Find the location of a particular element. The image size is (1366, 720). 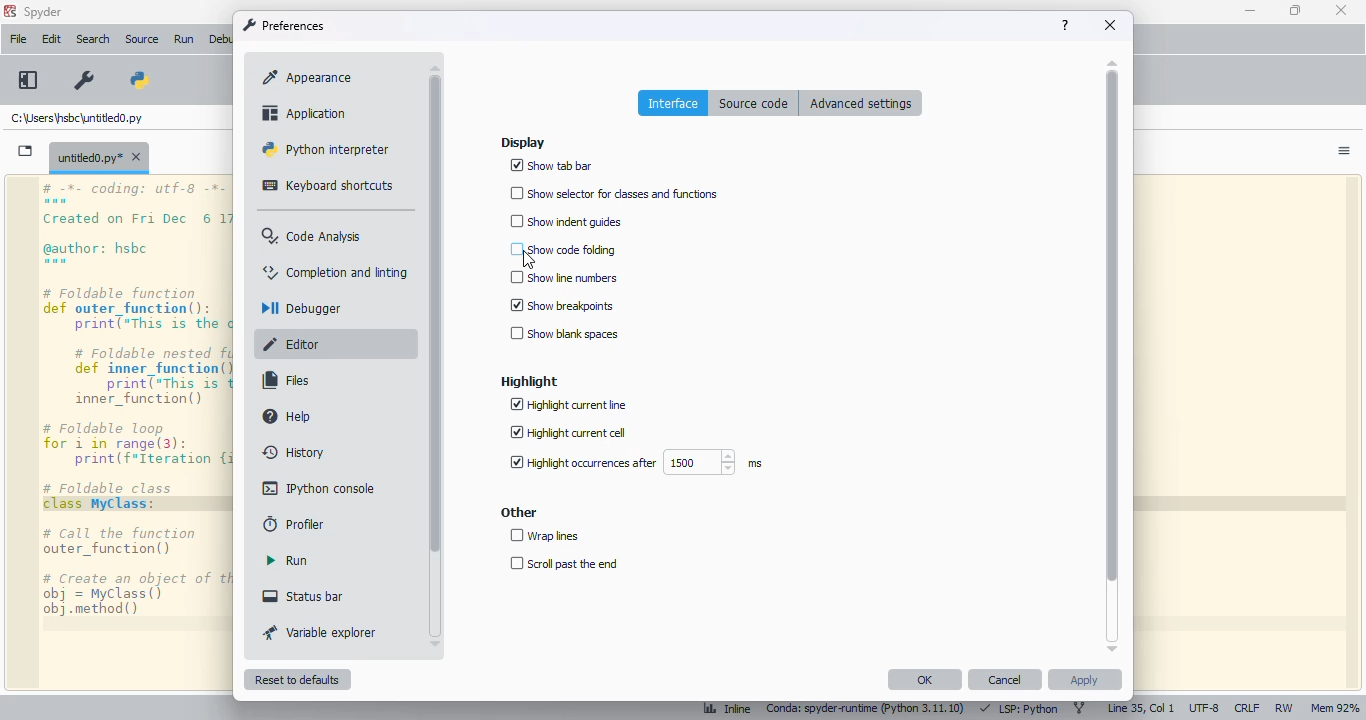

maximize is located at coordinates (1295, 10).